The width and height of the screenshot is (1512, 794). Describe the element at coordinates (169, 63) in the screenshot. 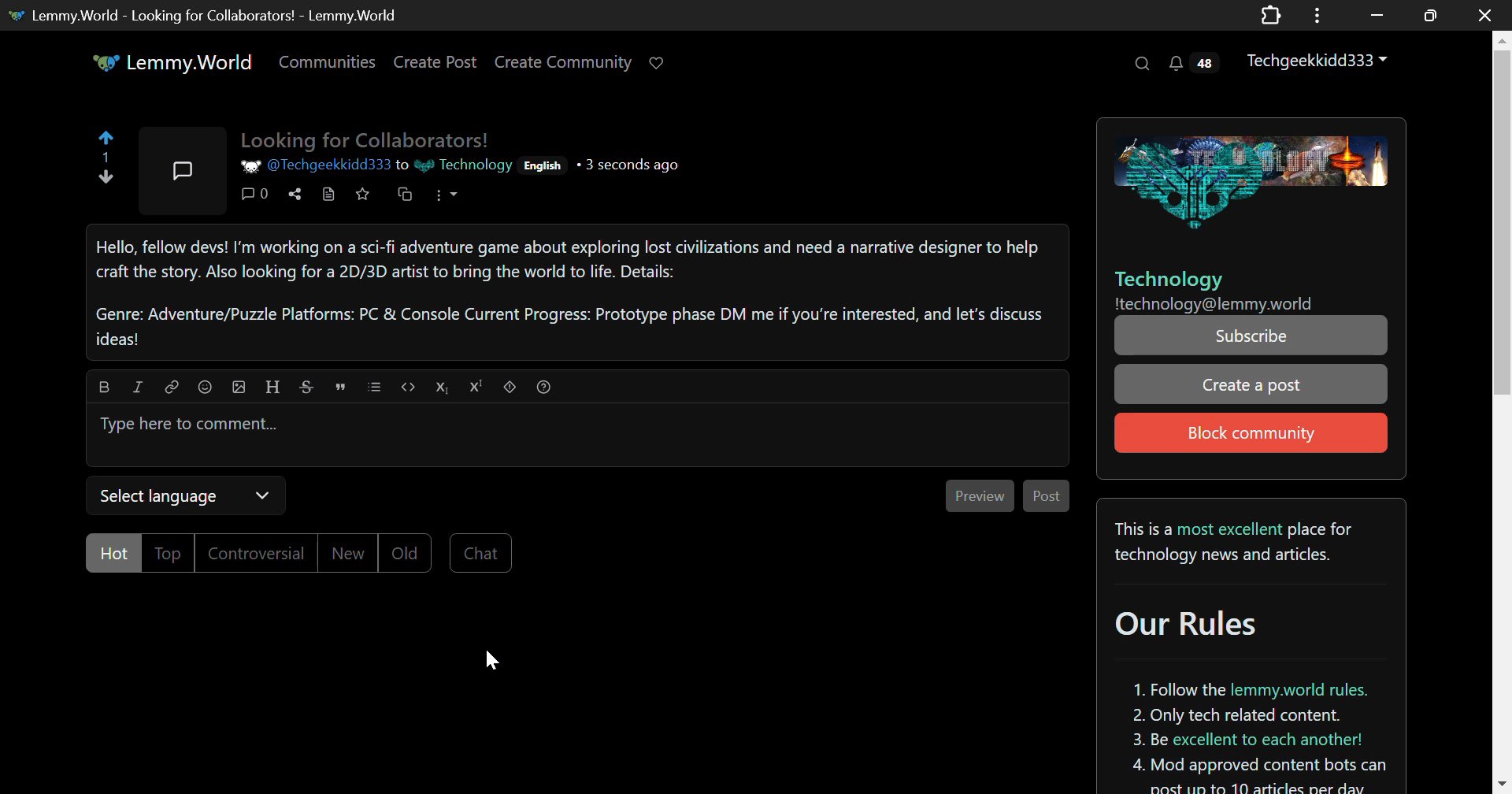

I see `Lemmy.World` at that location.